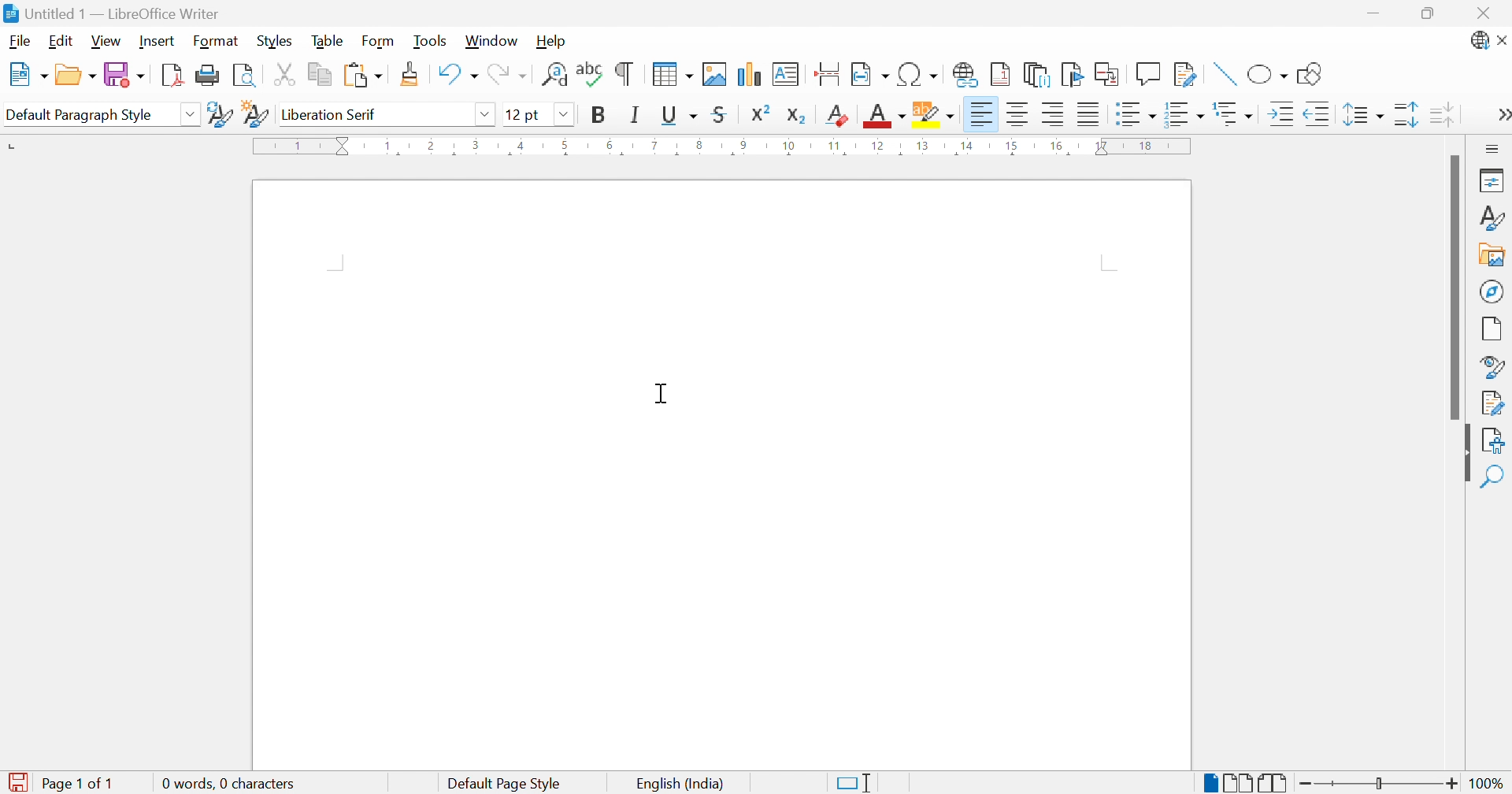  What do you see at coordinates (1054, 115) in the screenshot?
I see `Align right` at bounding box center [1054, 115].